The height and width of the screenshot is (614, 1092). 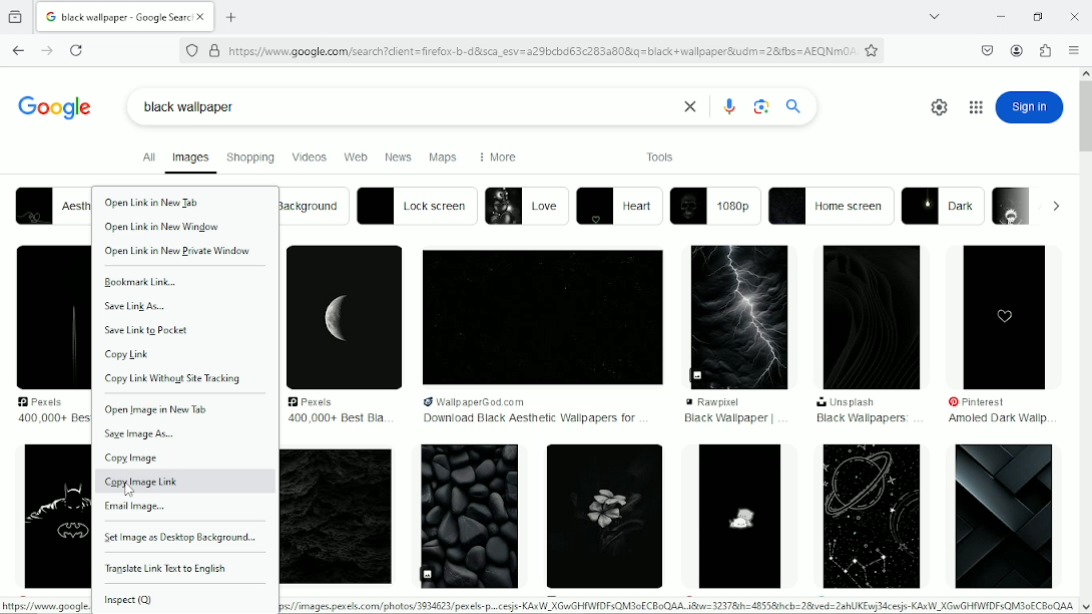 I want to click on save link to pocket, so click(x=150, y=331).